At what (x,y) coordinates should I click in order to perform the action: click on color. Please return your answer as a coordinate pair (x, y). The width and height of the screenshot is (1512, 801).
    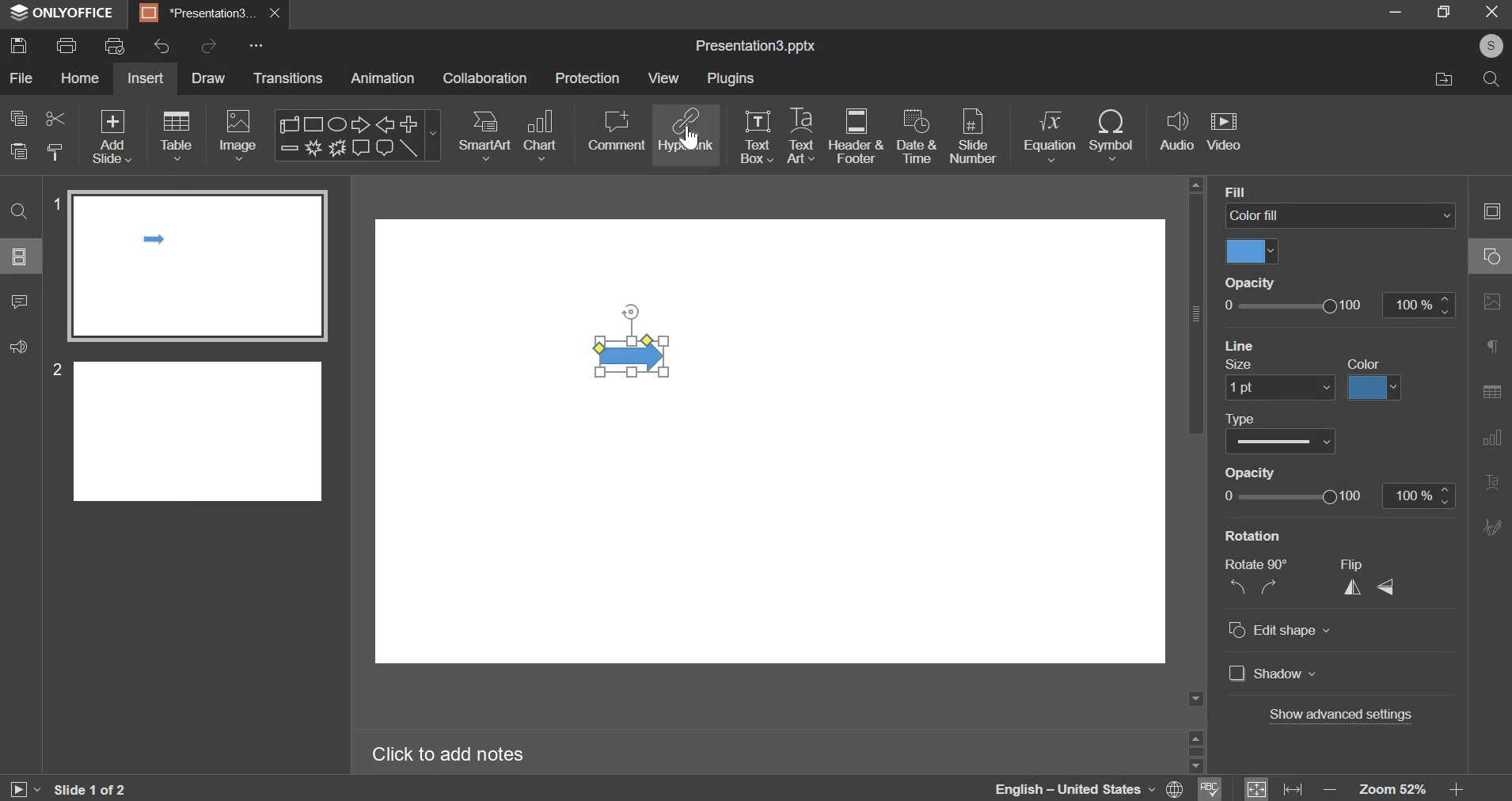
    Looking at the image, I should click on (1364, 364).